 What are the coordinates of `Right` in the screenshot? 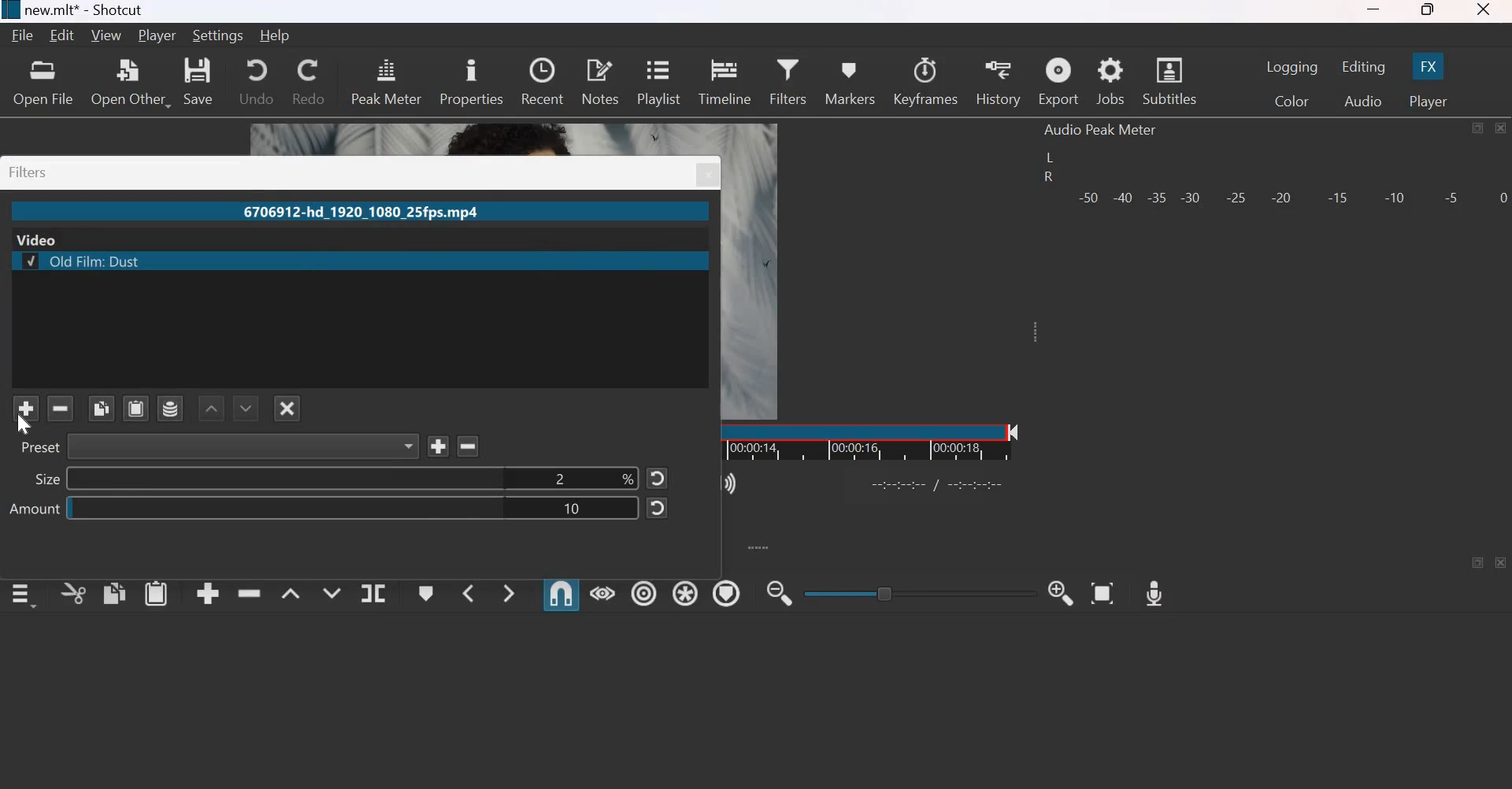 It's located at (1047, 178).